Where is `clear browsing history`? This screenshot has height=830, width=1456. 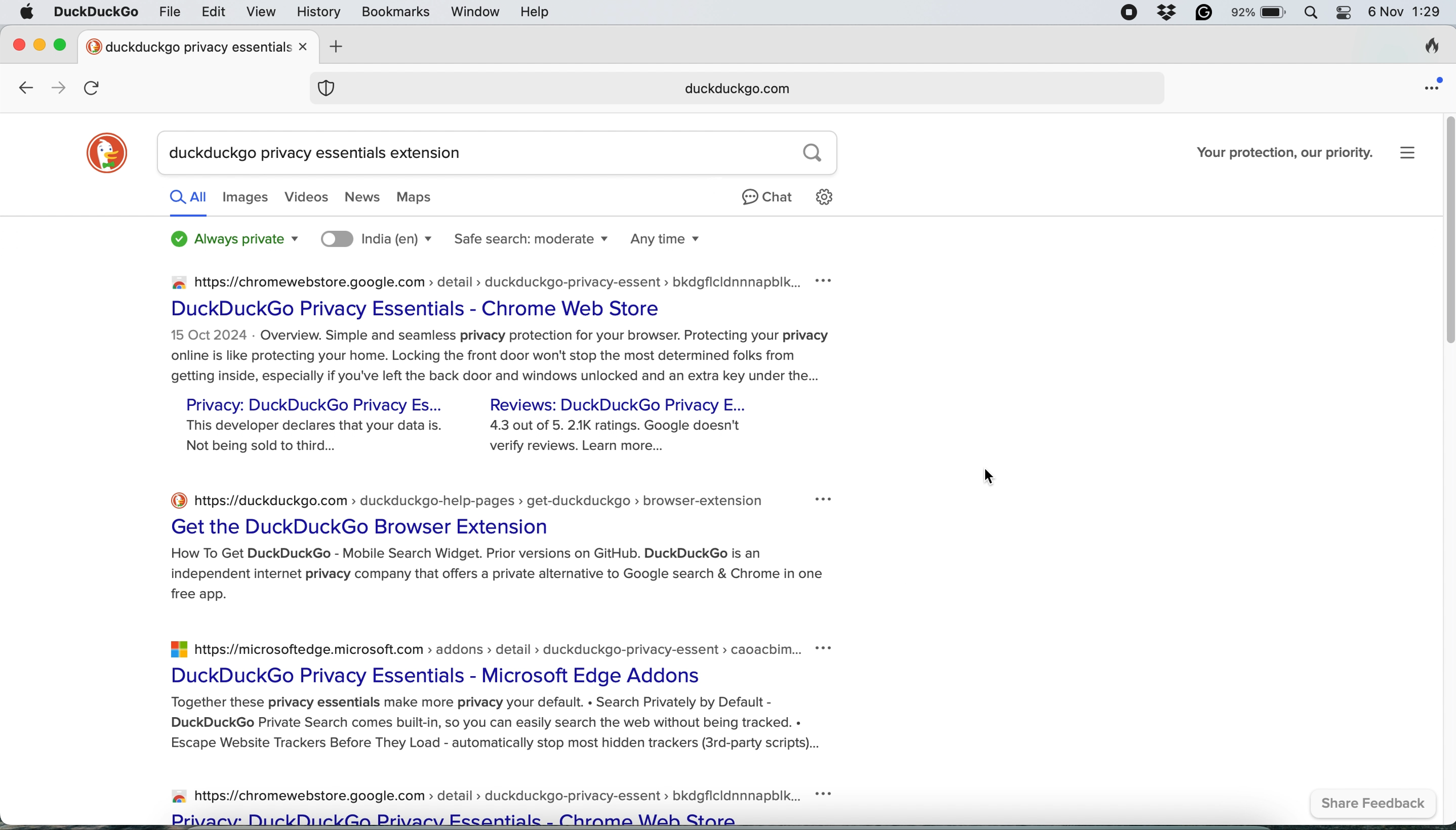
clear browsing history is located at coordinates (1433, 44).